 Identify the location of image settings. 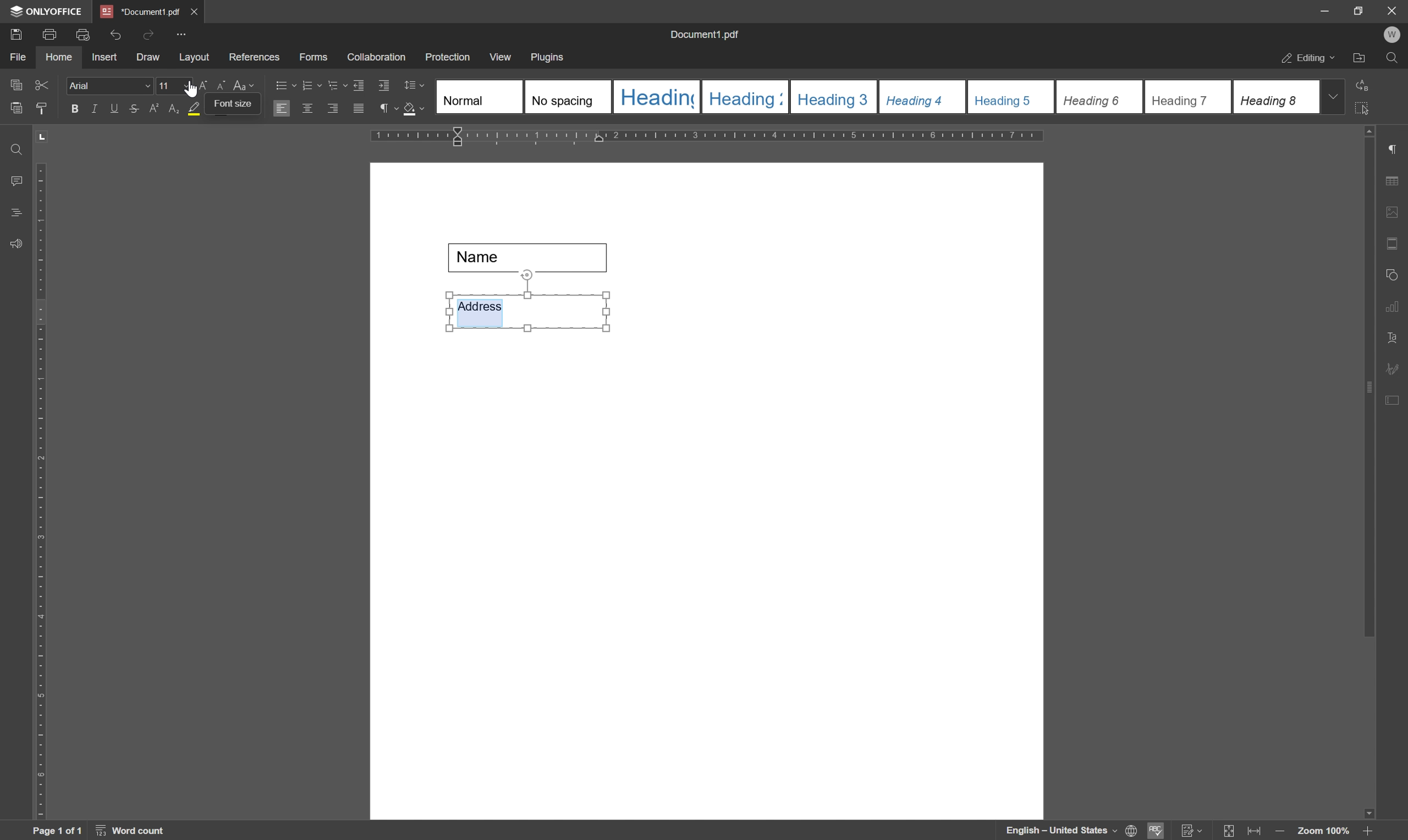
(1397, 215).